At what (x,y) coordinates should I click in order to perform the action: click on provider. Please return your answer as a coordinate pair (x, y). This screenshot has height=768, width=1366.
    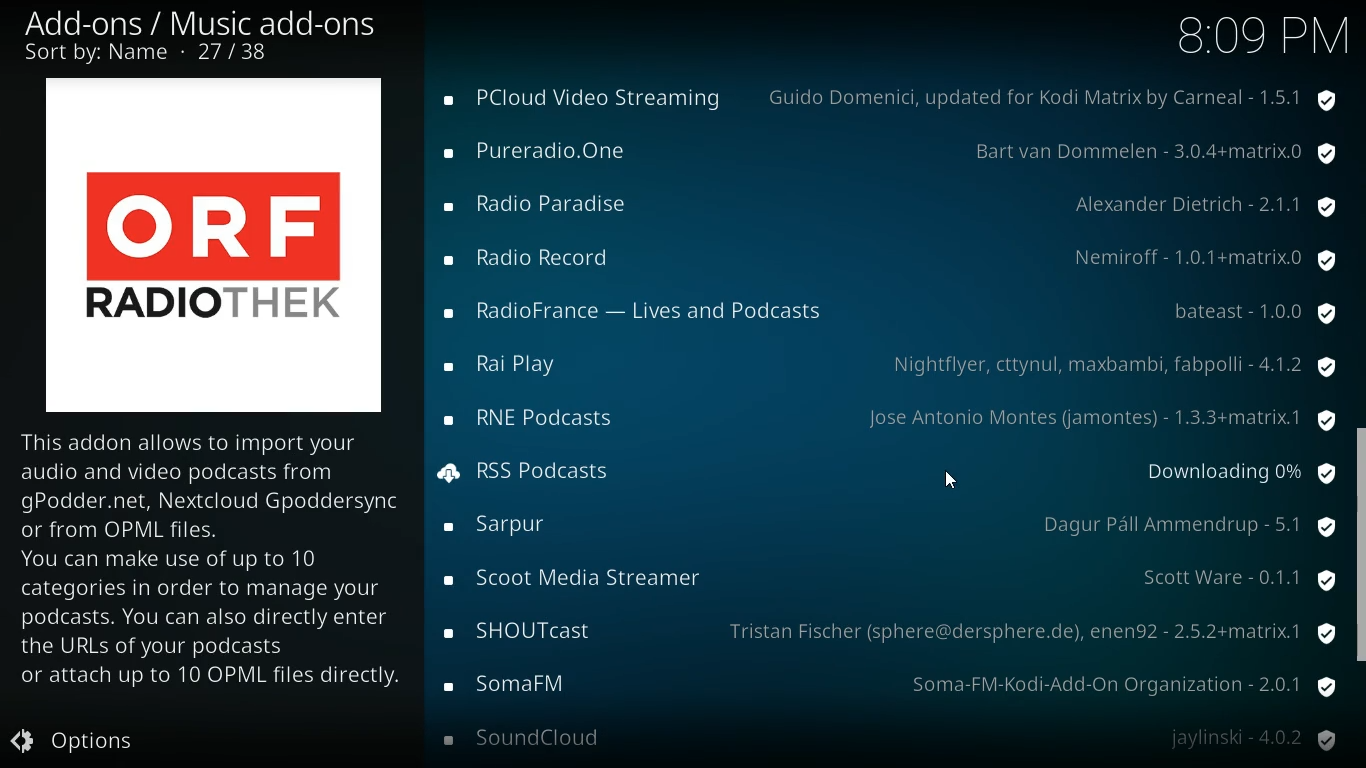
    Looking at the image, I should click on (1229, 580).